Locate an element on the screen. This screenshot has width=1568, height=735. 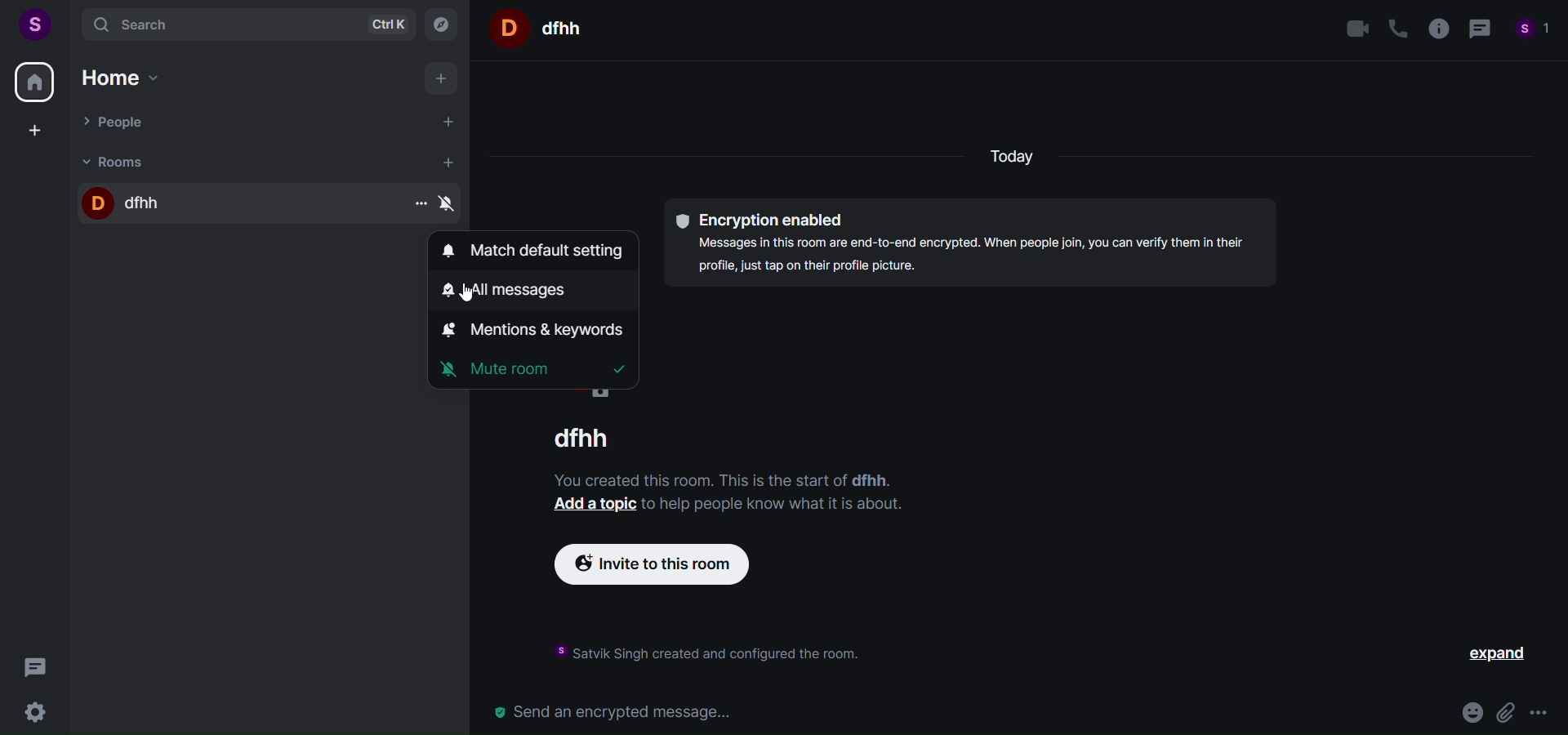
You created this room. This is the start of dfhh. is located at coordinates (724, 478).